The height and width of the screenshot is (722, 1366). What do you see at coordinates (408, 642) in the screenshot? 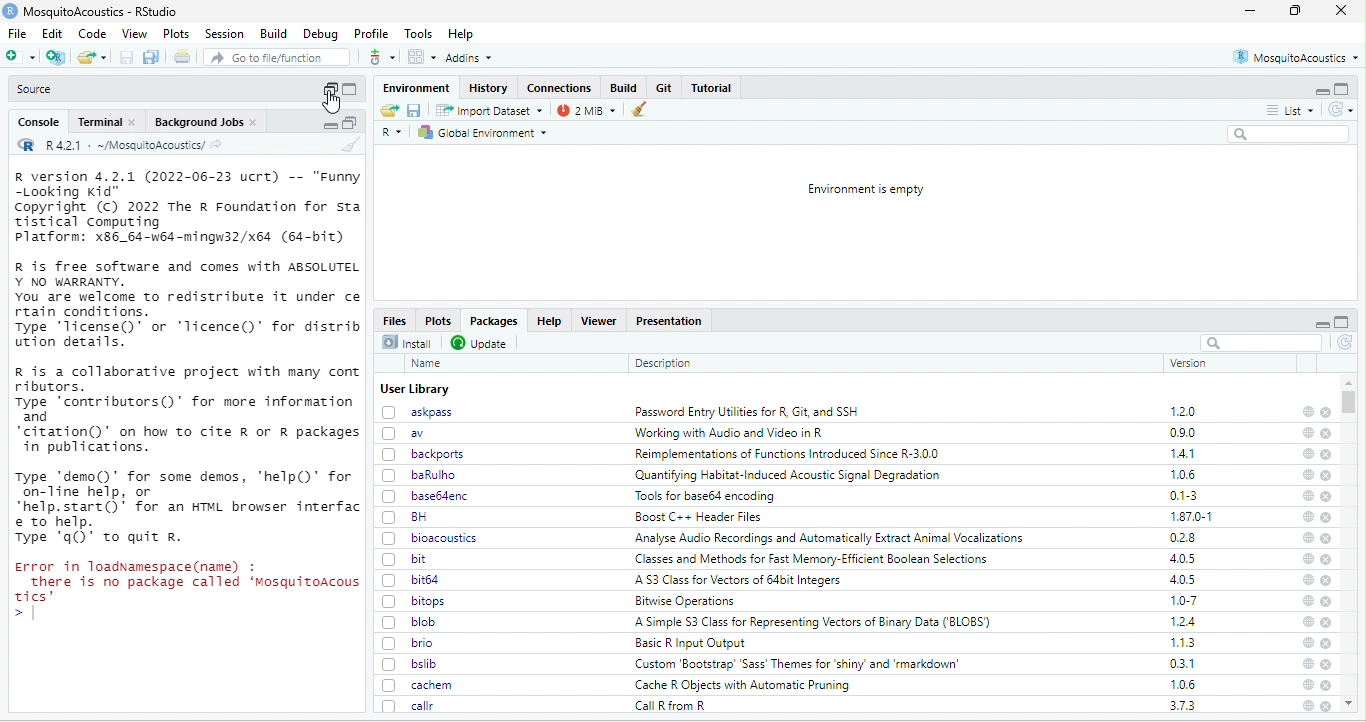
I see `brio` at bounding box center [408, 642].